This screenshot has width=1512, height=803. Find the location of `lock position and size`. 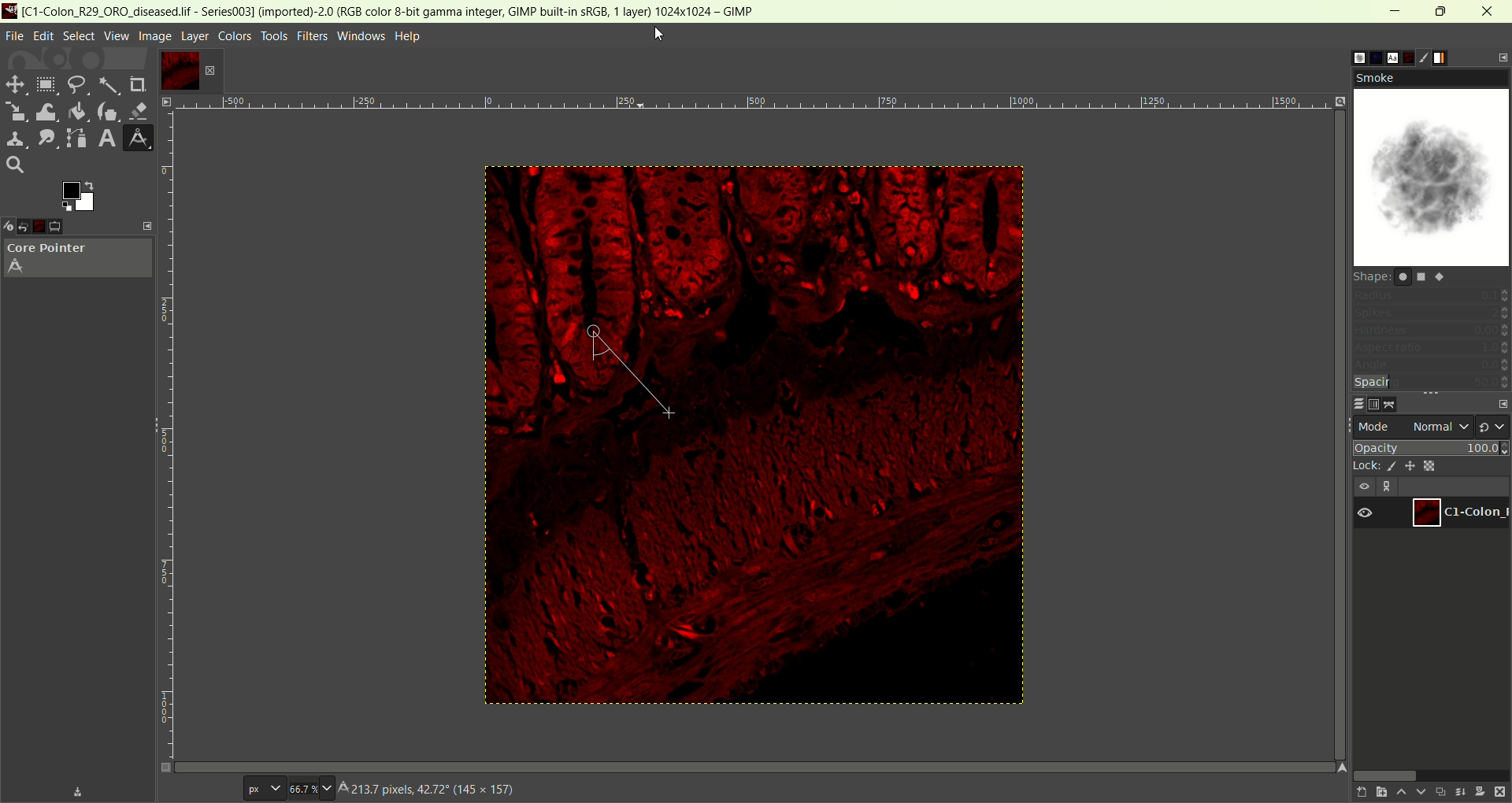

lock position and size is located at coordinates (1409, 465).